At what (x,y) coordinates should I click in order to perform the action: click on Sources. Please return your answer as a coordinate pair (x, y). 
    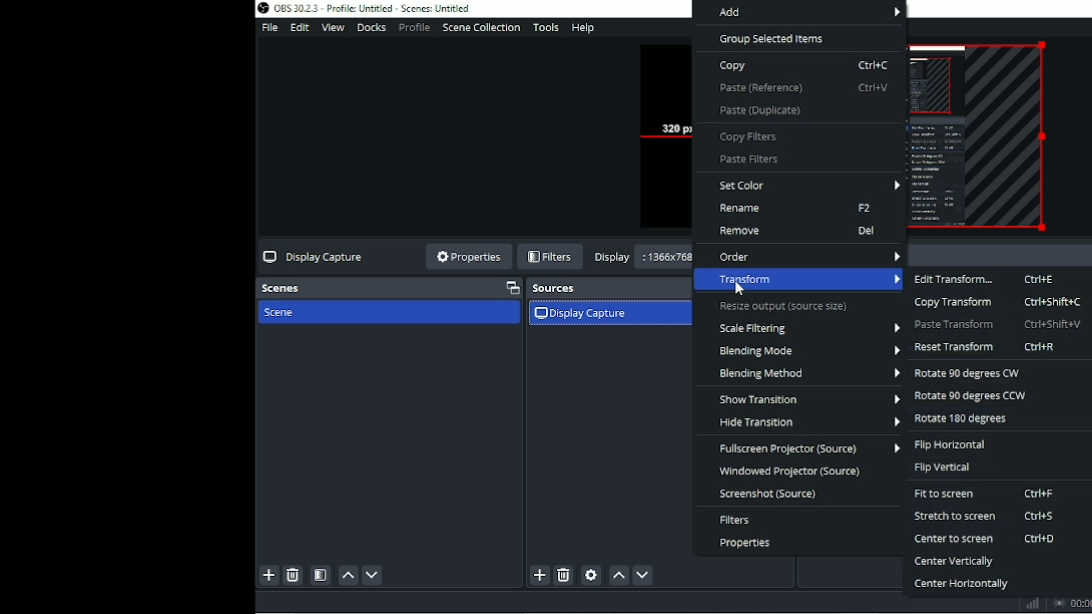
    Looking at the image, I should click on (604, 287).